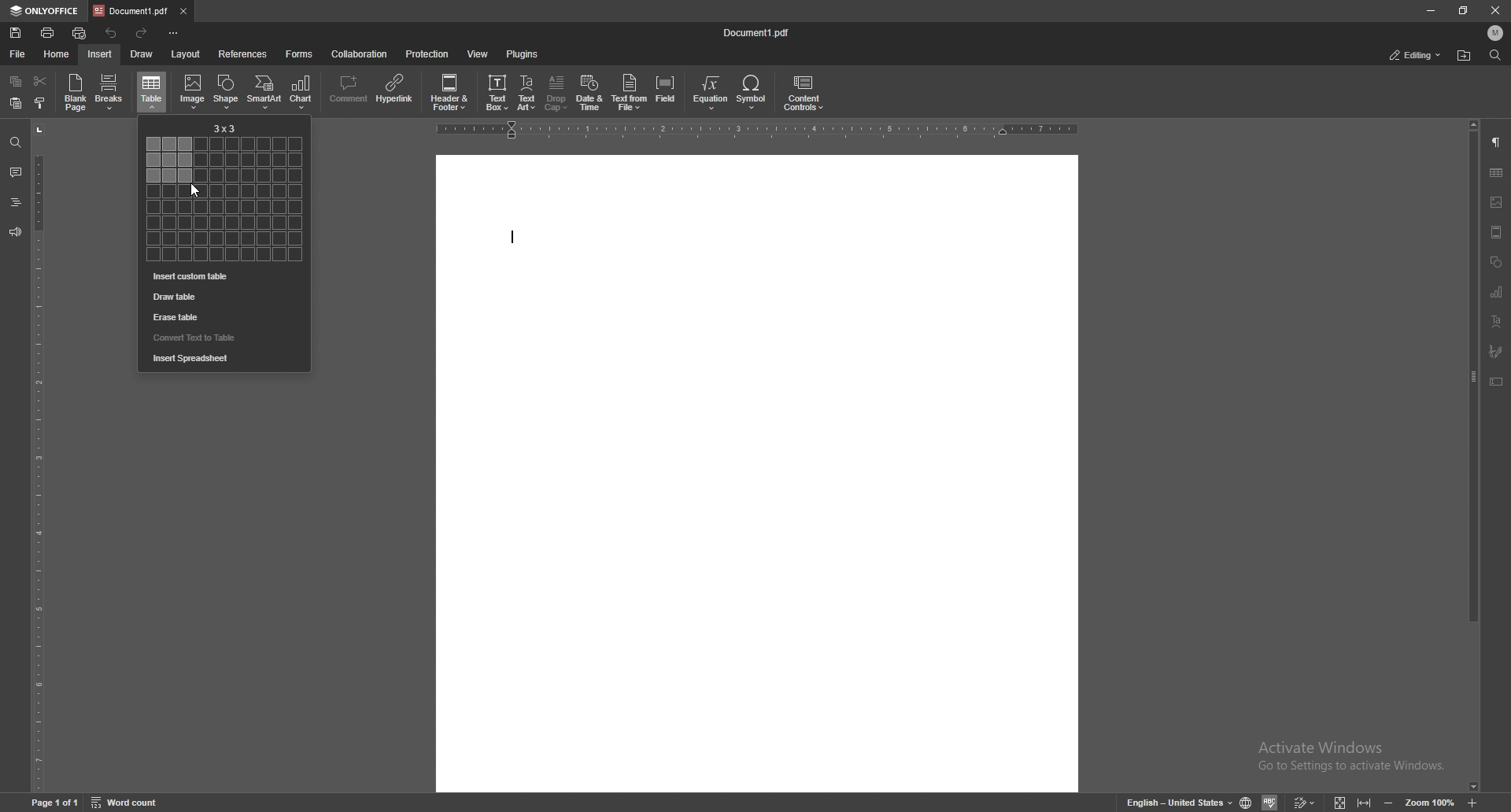 The width and height of the screenshot is (1511, 812). I want to click on symbol, so click(754, 94).